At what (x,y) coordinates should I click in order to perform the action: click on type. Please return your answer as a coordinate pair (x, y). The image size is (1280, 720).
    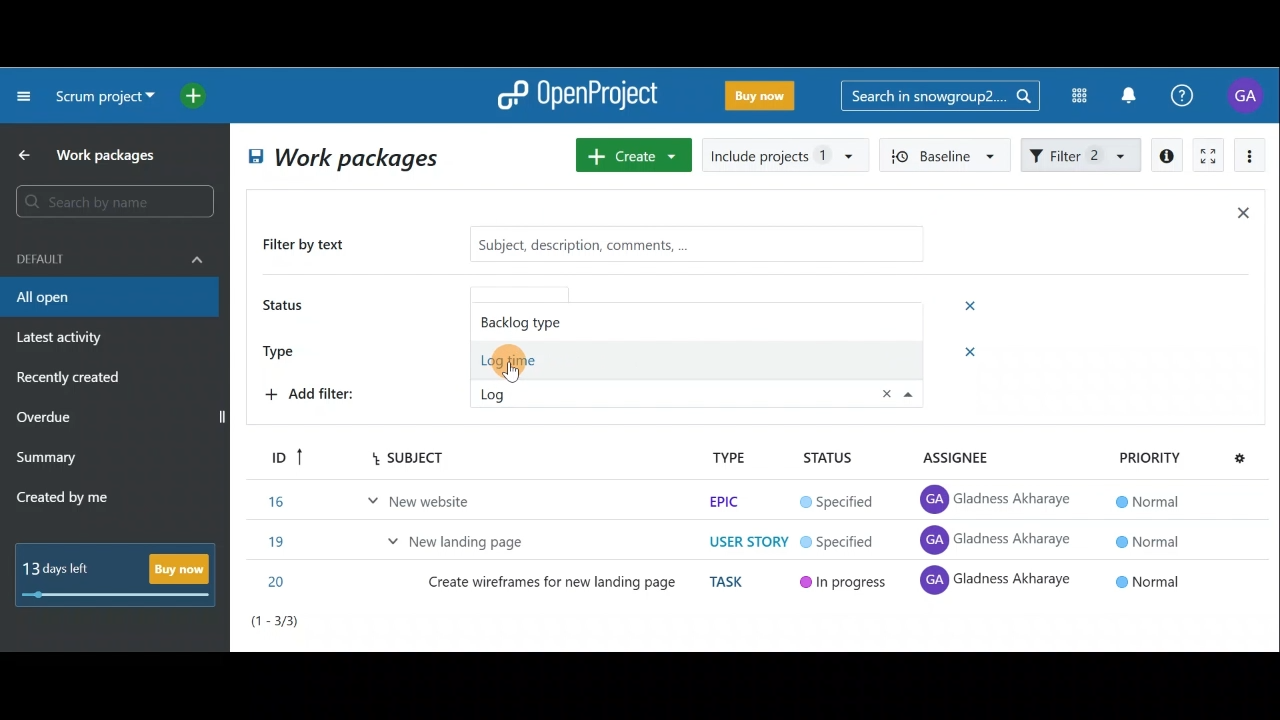
    Looking at the image, I should click on (729, 457).